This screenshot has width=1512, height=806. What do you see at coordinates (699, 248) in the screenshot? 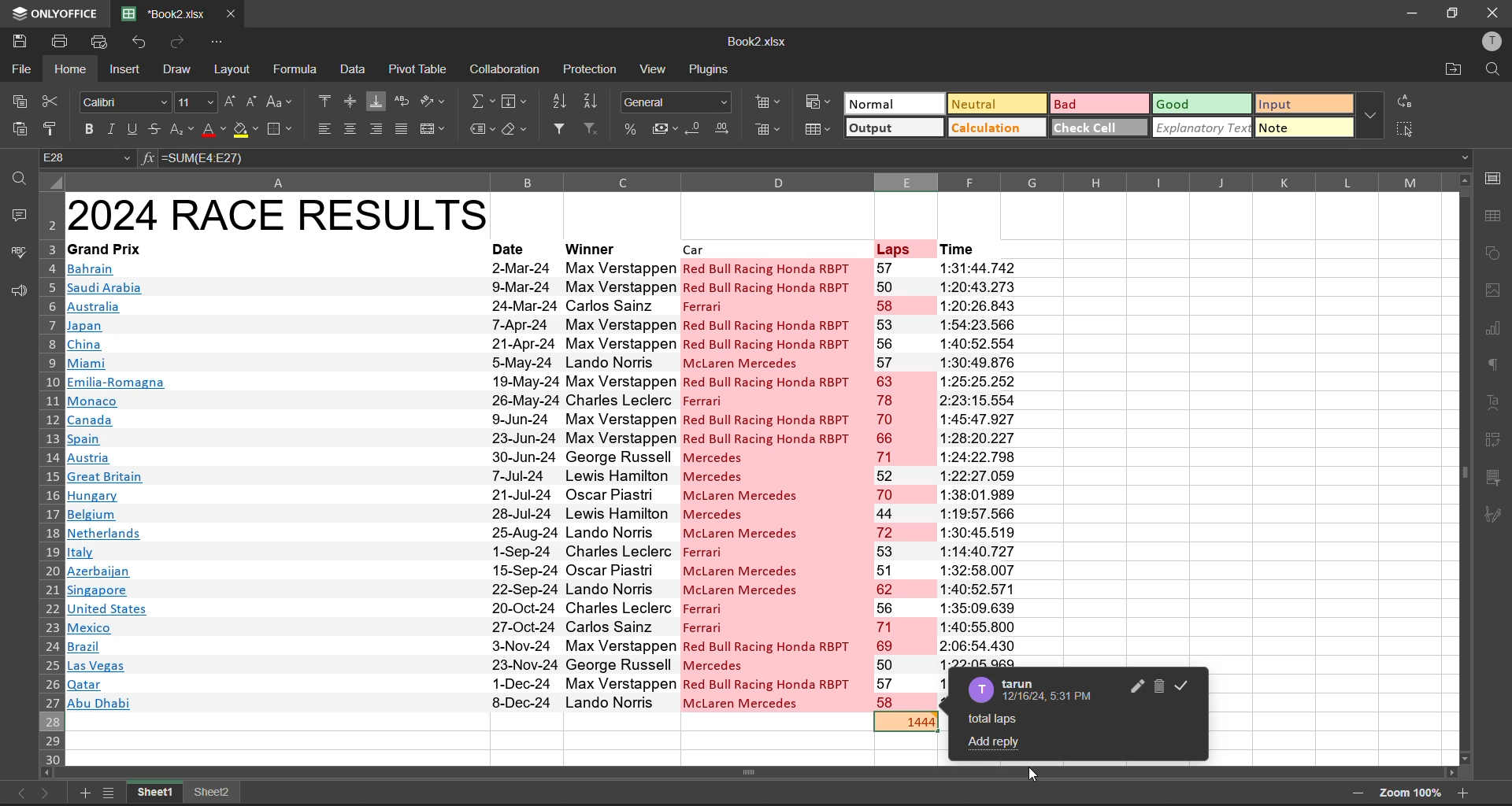
I see `car` at bounding box center [699, 248].